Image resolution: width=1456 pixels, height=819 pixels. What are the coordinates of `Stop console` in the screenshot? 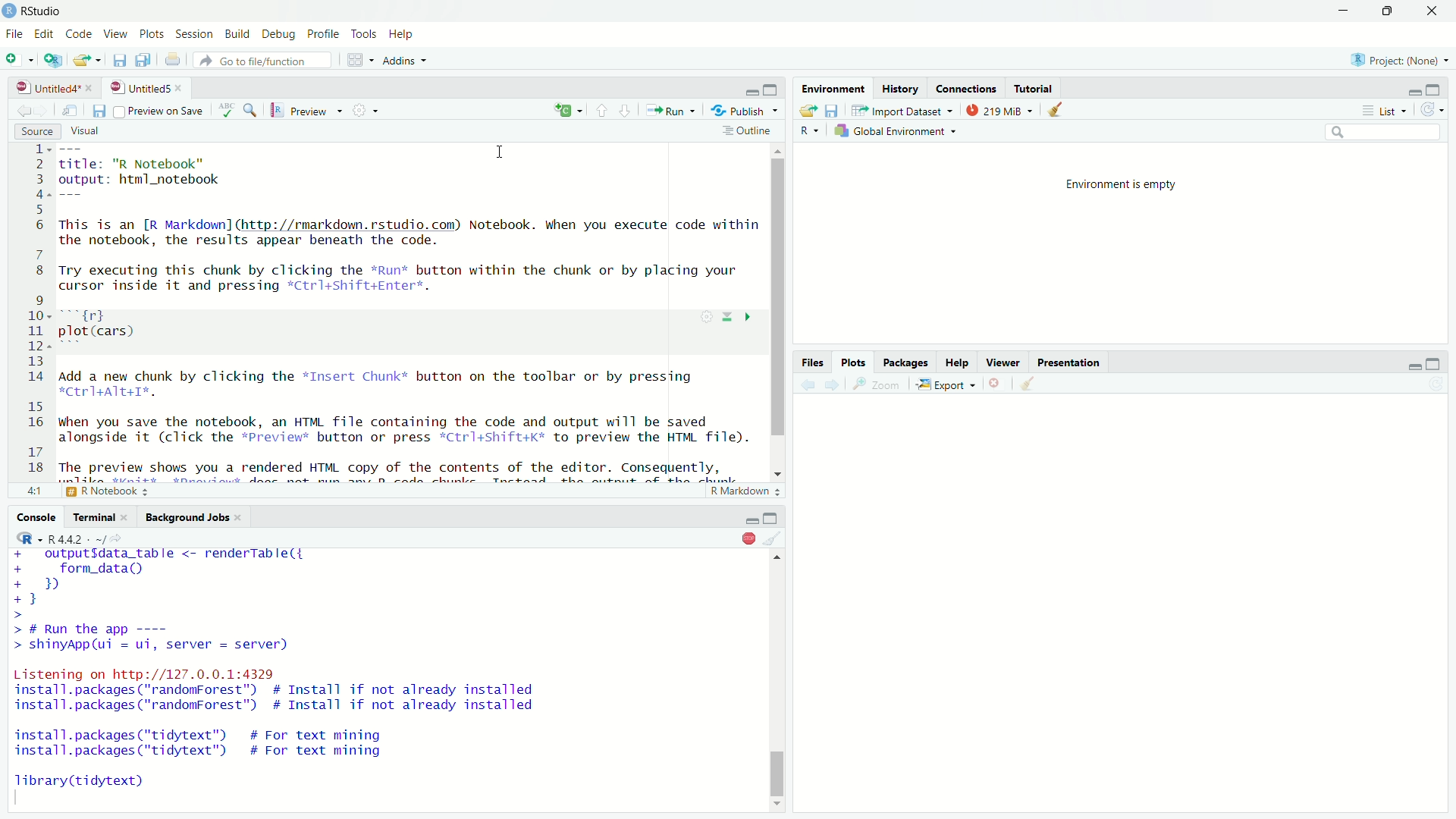 It's located at (748, 538).